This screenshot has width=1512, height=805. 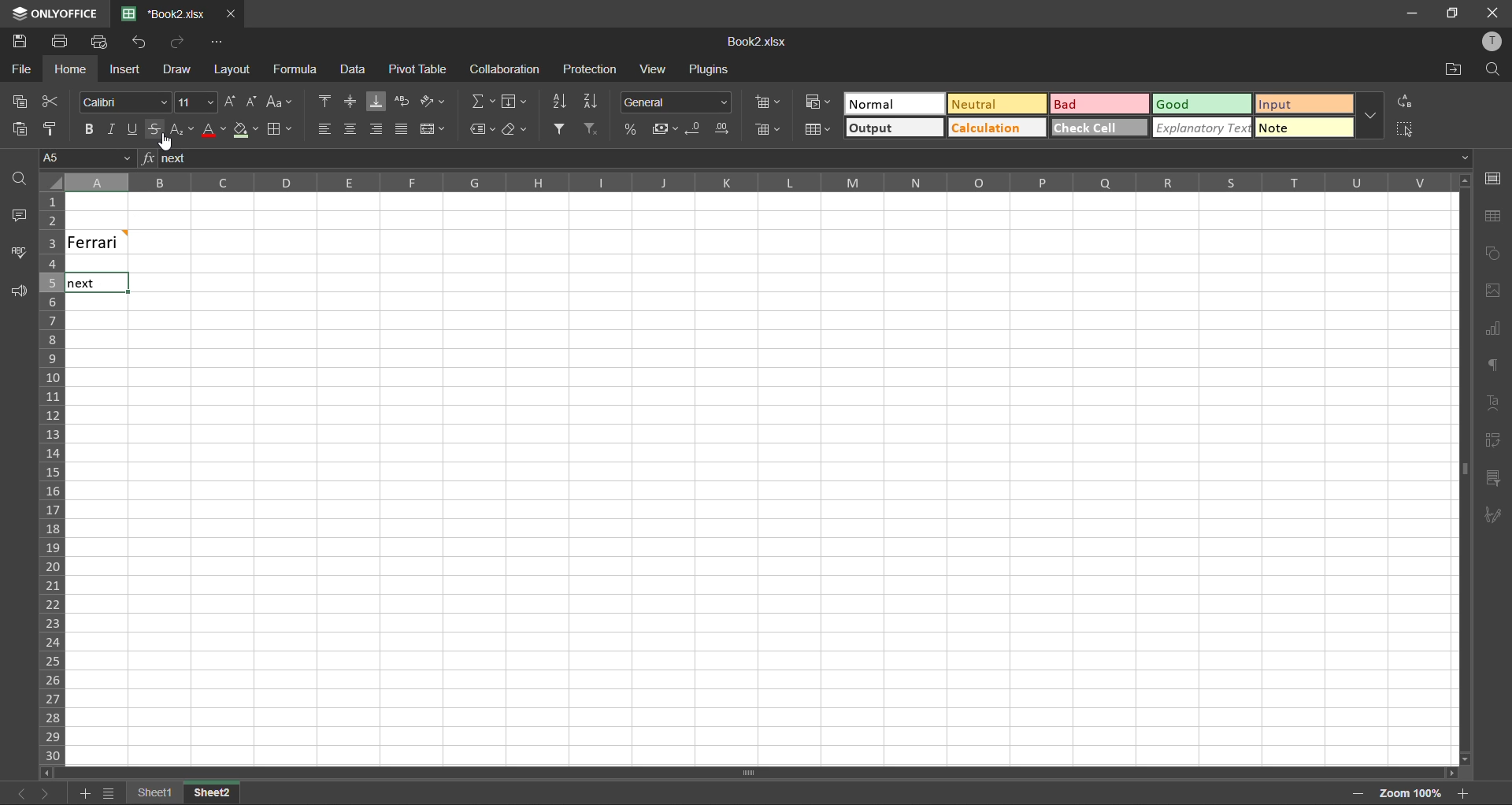 What do you see at coordinates (591, 131) in the screenshot?
I see `clear filter` at bounding box center [591, 131].